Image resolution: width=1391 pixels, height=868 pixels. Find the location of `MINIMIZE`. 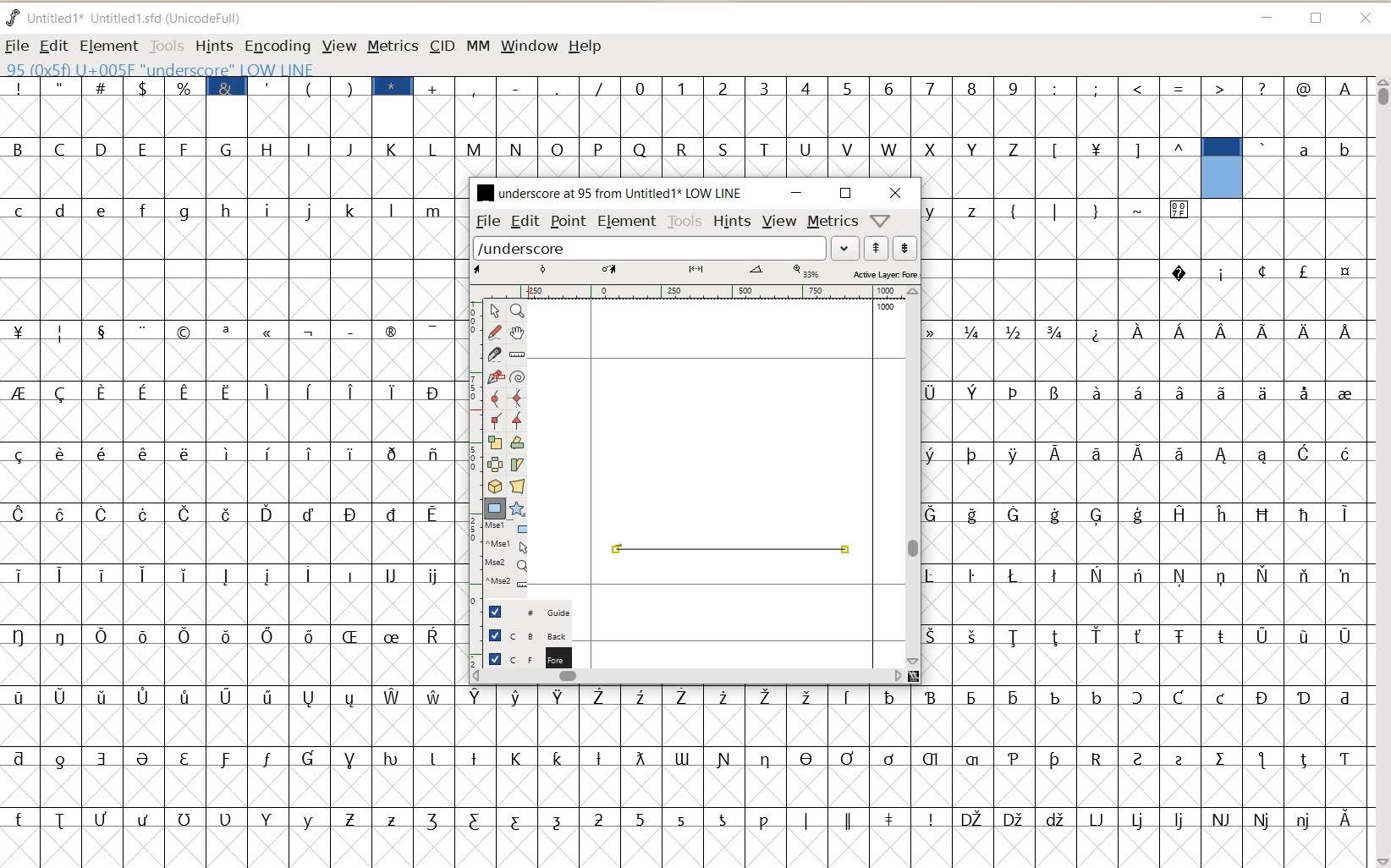

MINIMIZE is located at coordinates (1266, 15).